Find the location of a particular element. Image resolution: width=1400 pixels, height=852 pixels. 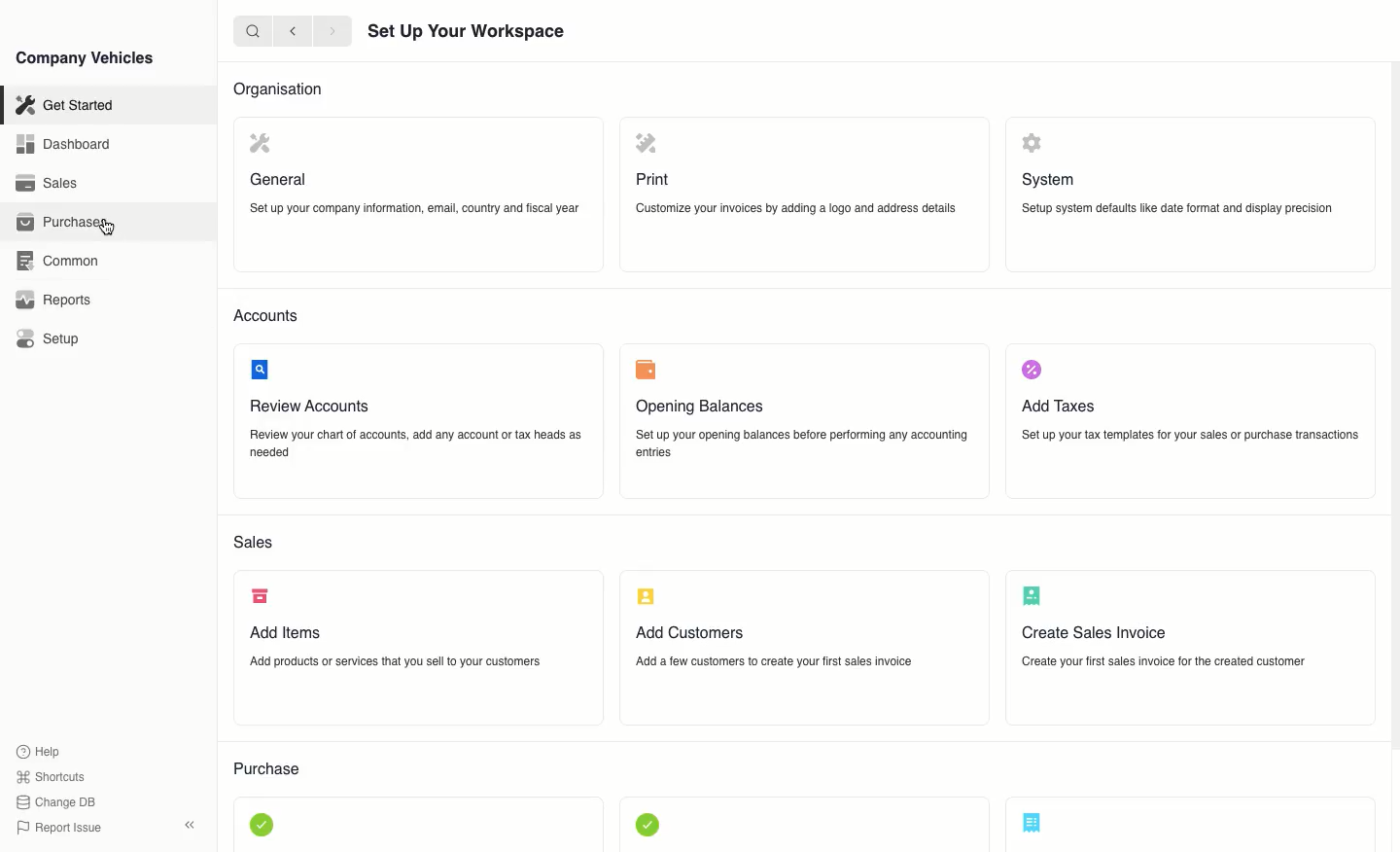

back is located at coordinates (294, 32).